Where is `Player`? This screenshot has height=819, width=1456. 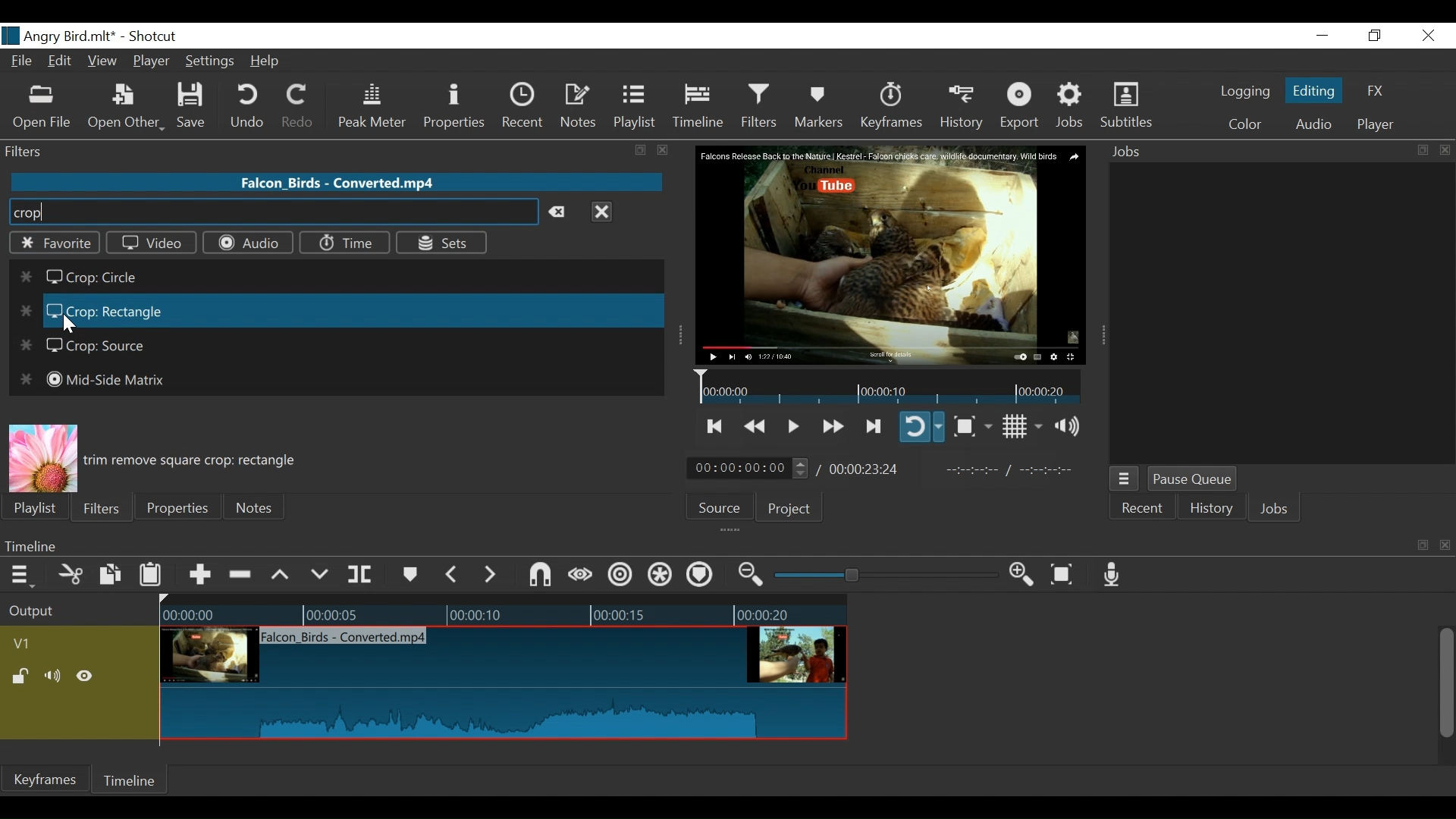
Player is located at coordinates (1376, 125).